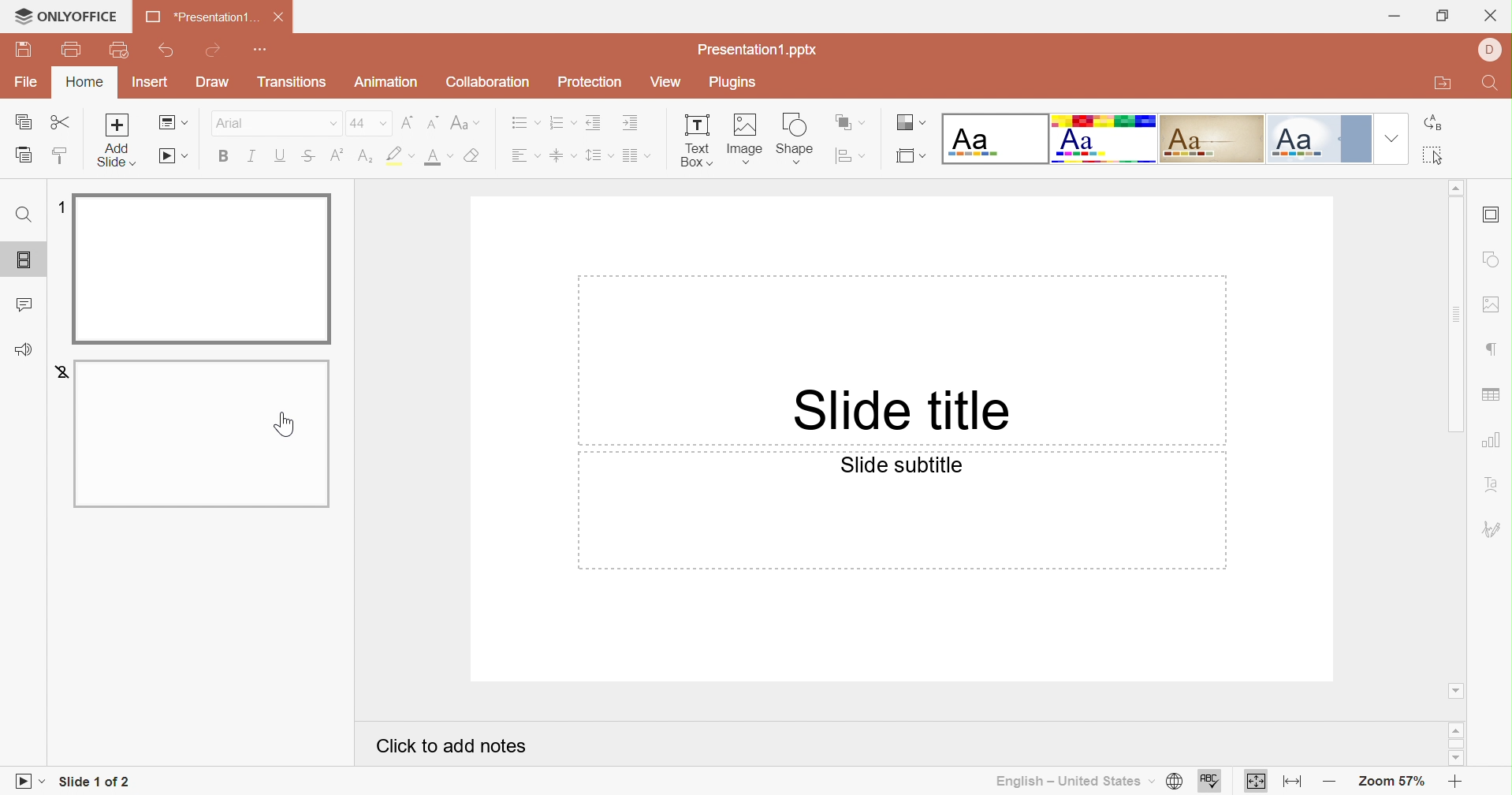 The height and width of the screenshot is (795, 1512). Describe the element at coordinates (283, 155) in the screenshot. I see `Underline` at that location.